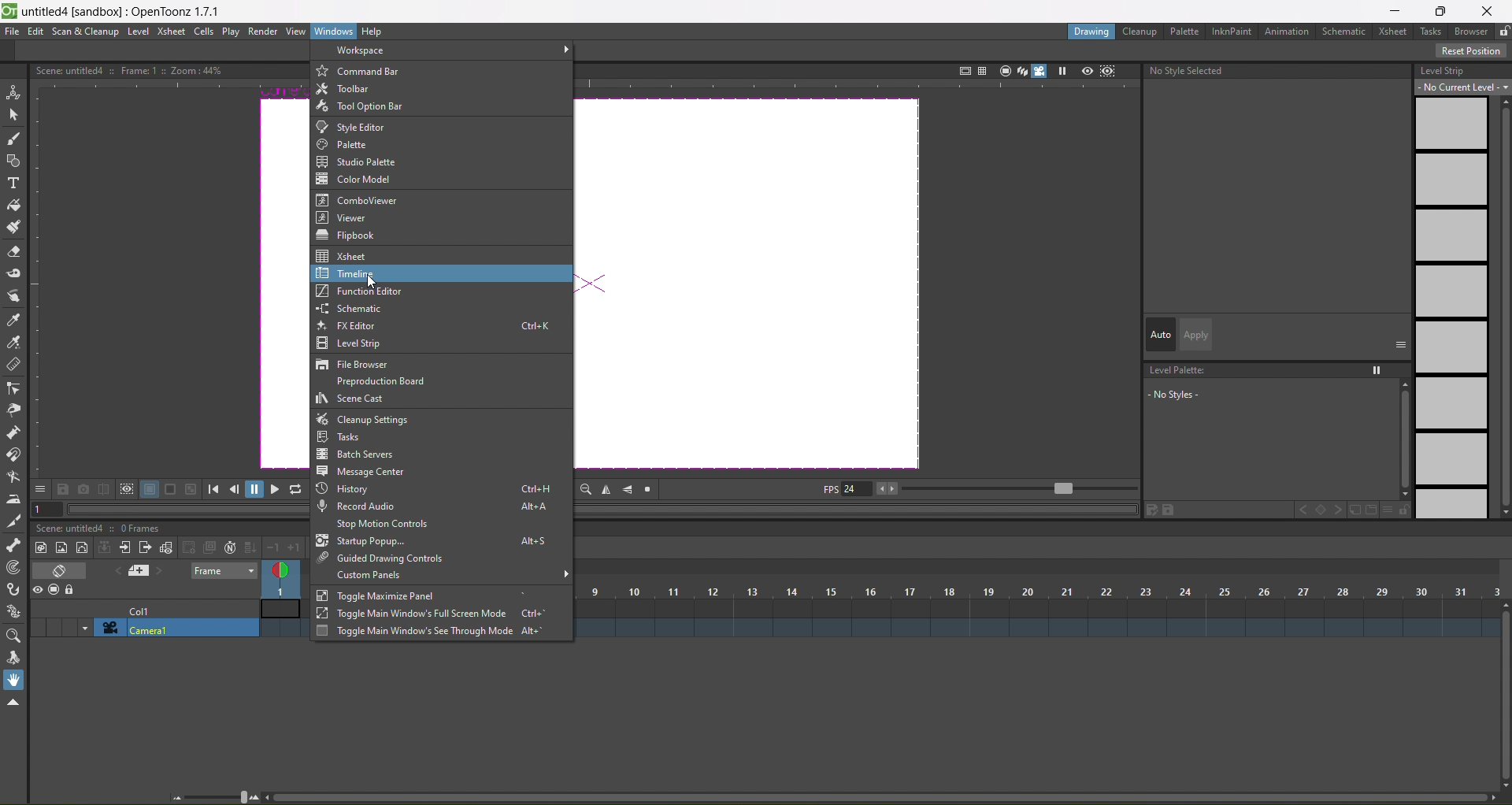  I want to click on icon, so click(117, 490).